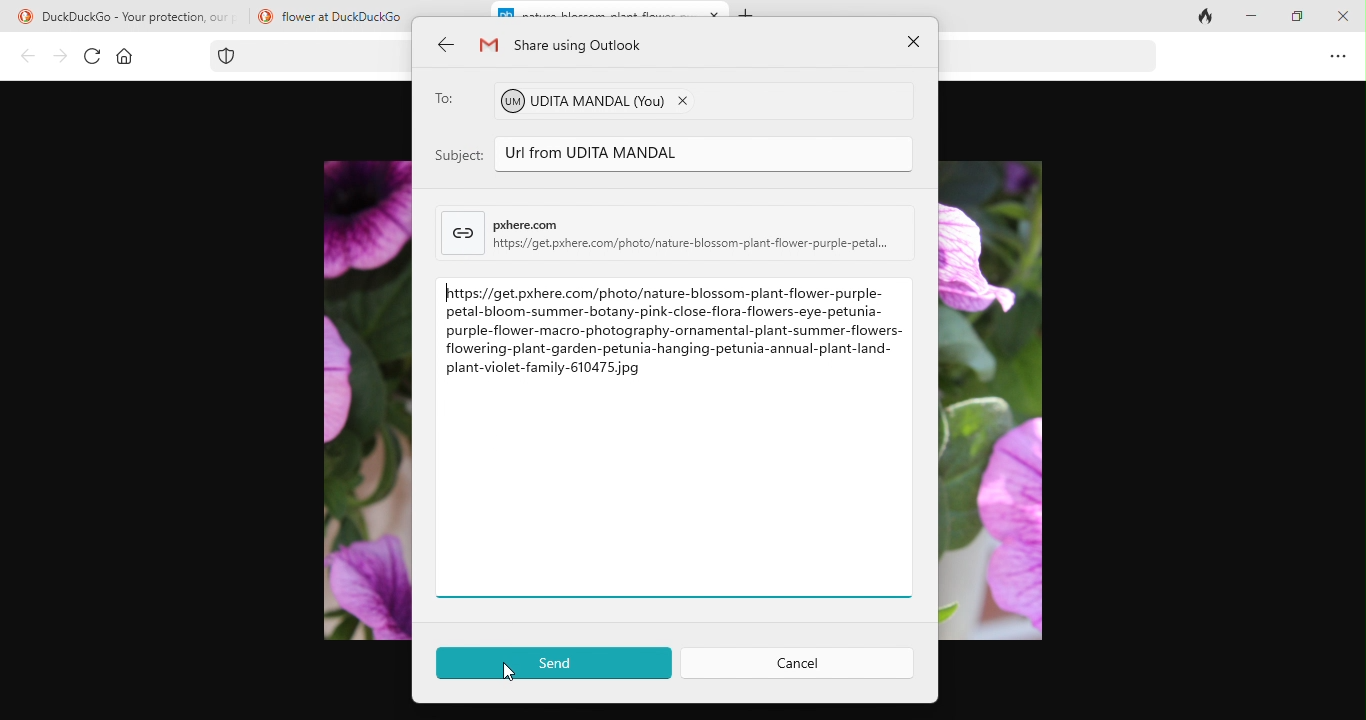 The width and height of the screenshot is (1366, 720). What do you see at coordinates (590, 49) in the screenshot?
I see `share using outlook` at bounding box center [590, 49].